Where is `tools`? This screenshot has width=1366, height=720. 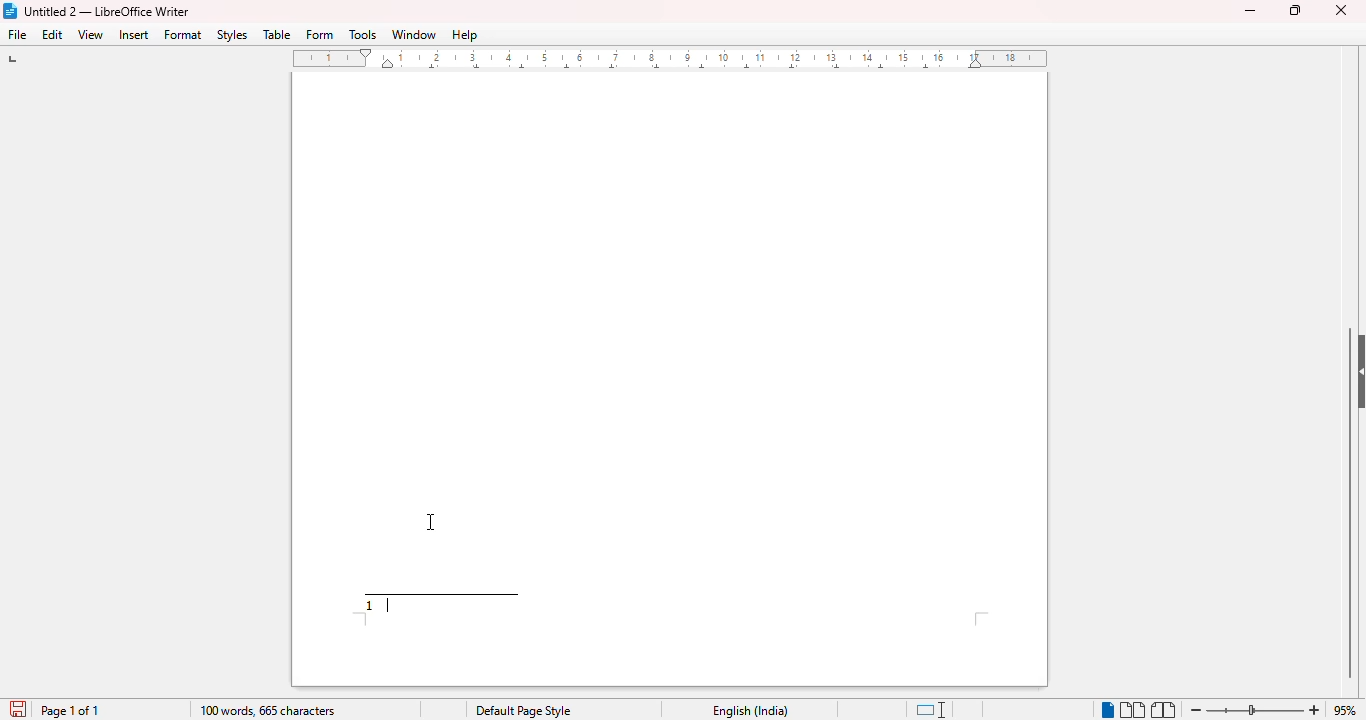
tools is located at coordinates (363, 35).